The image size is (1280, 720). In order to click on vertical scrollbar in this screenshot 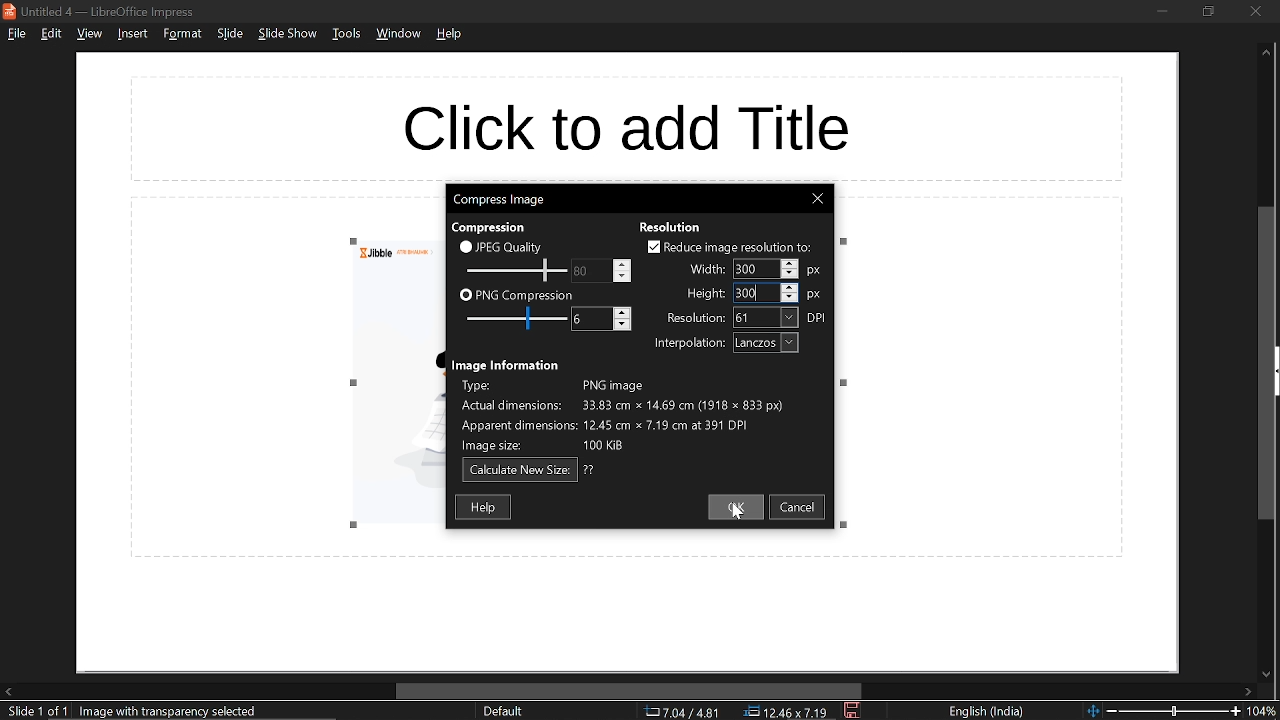, I will do `click(1267, 363)`.